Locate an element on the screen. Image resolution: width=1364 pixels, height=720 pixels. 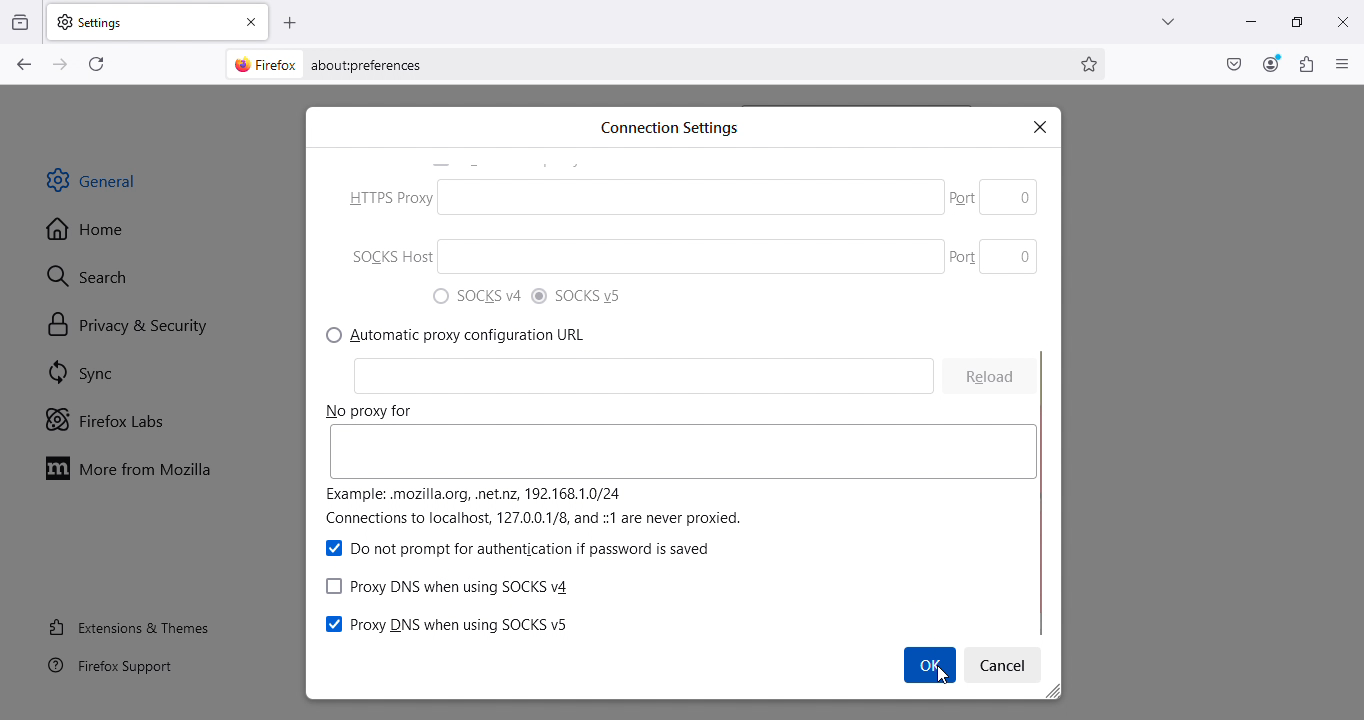
Move to Mozilla is located at coordinates (134, 467).